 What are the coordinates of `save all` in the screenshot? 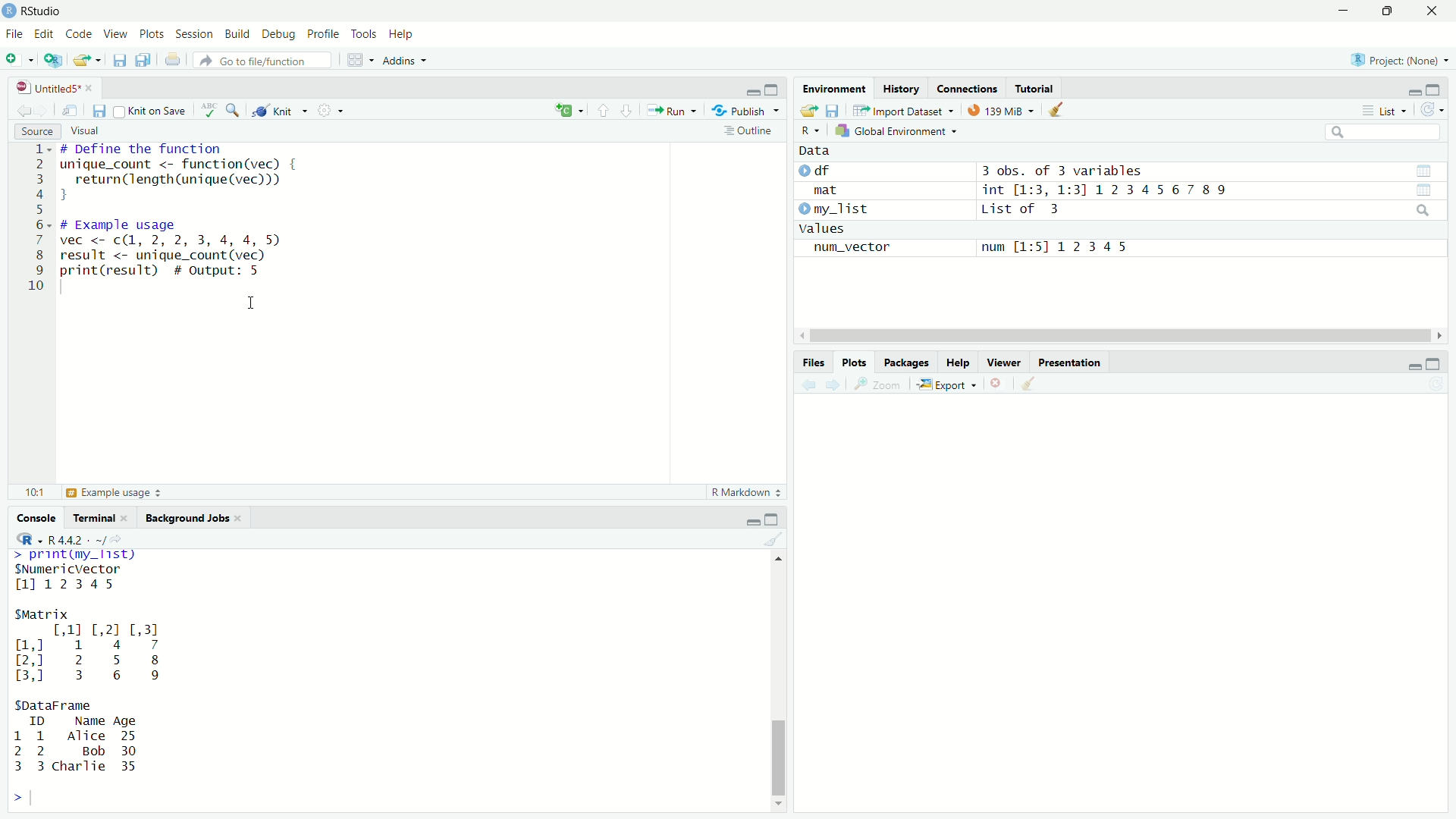 It's located at (144, 60).